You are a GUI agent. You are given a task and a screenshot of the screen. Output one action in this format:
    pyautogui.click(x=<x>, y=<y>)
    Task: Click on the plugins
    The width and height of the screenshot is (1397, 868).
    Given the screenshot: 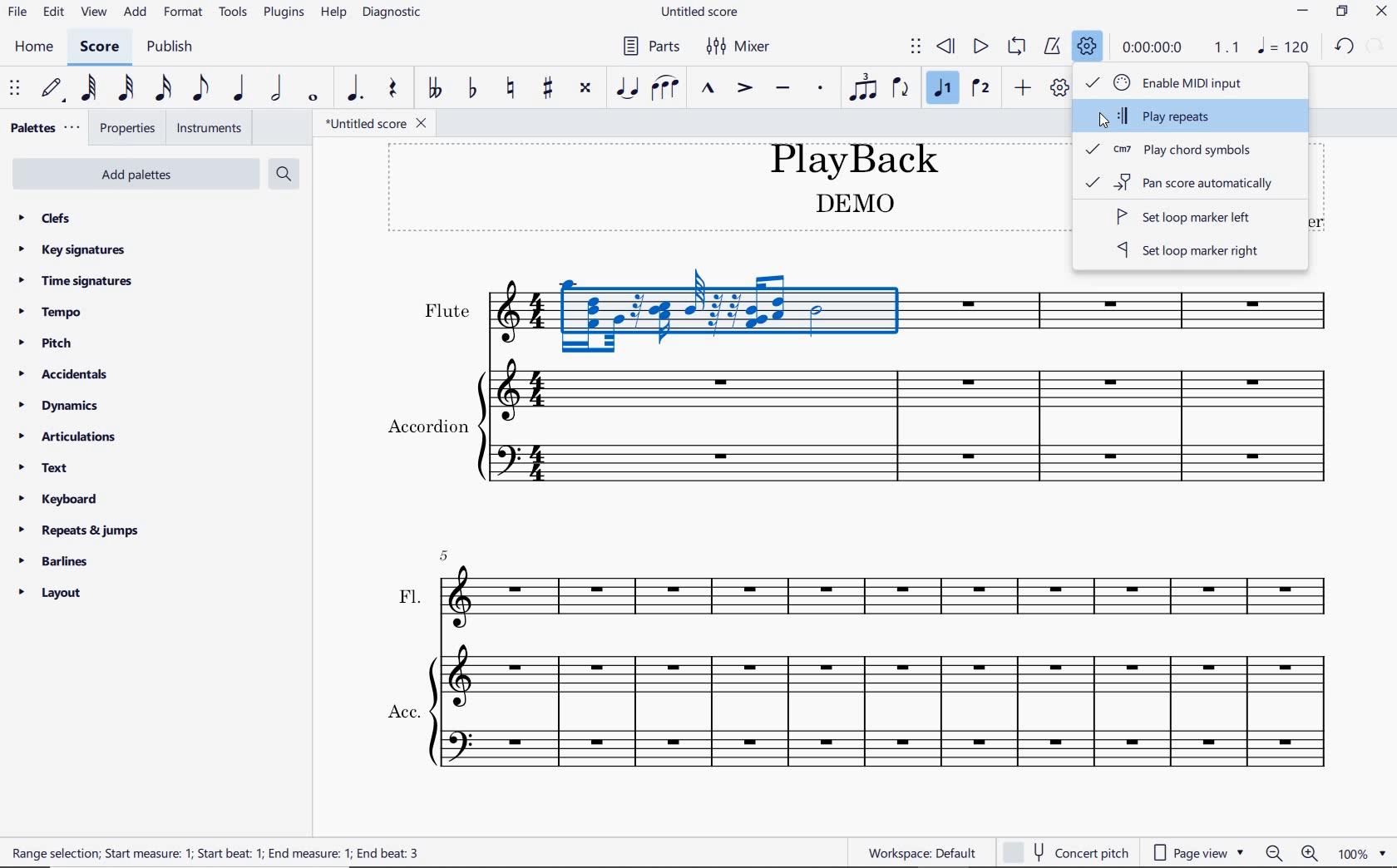 What is the action you would take?
    pyautogui.click(x=283, y=12)
    